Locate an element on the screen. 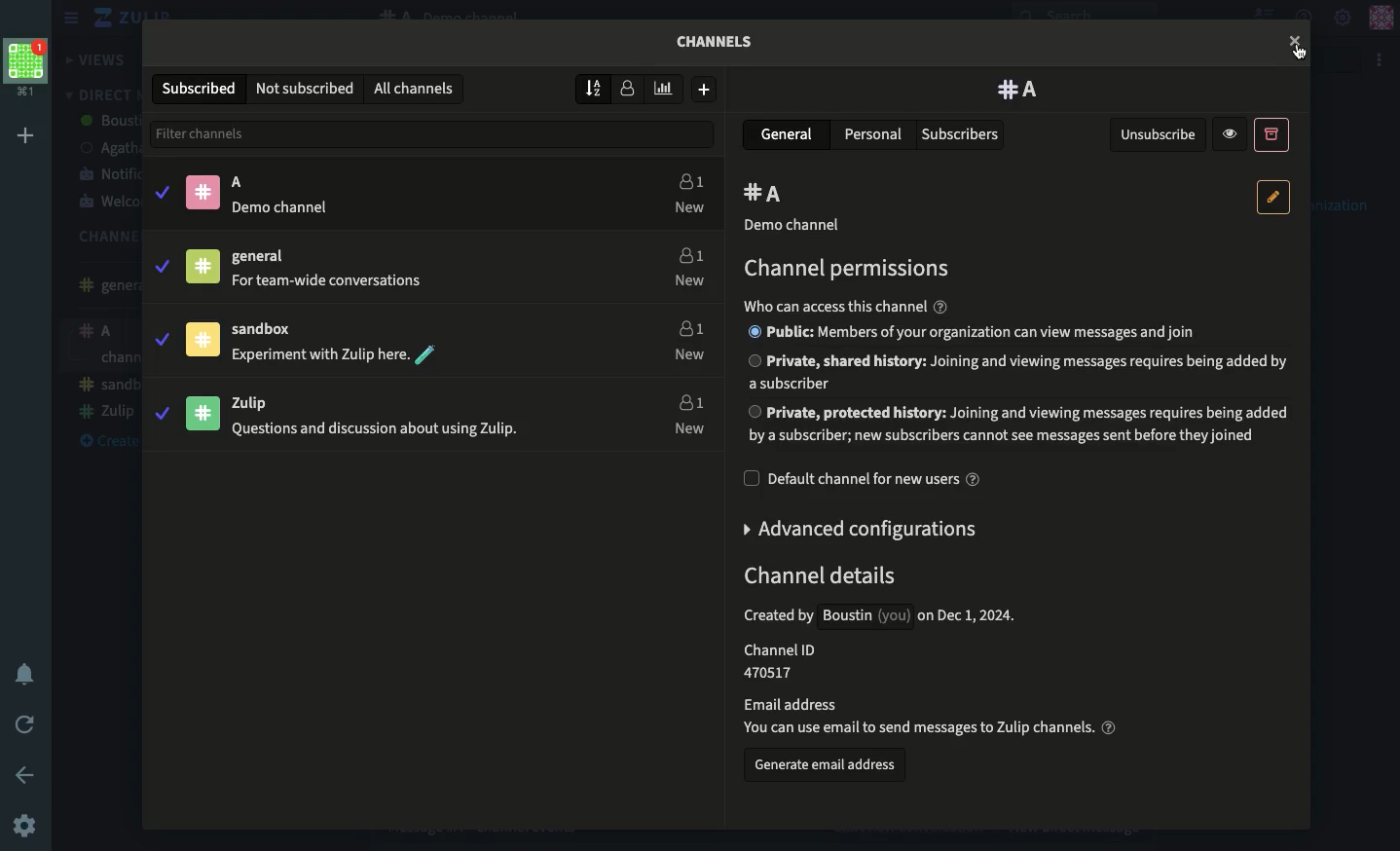 The height and width of the screenshot is (851, 1400). Add is located at coordinates (29, 135).